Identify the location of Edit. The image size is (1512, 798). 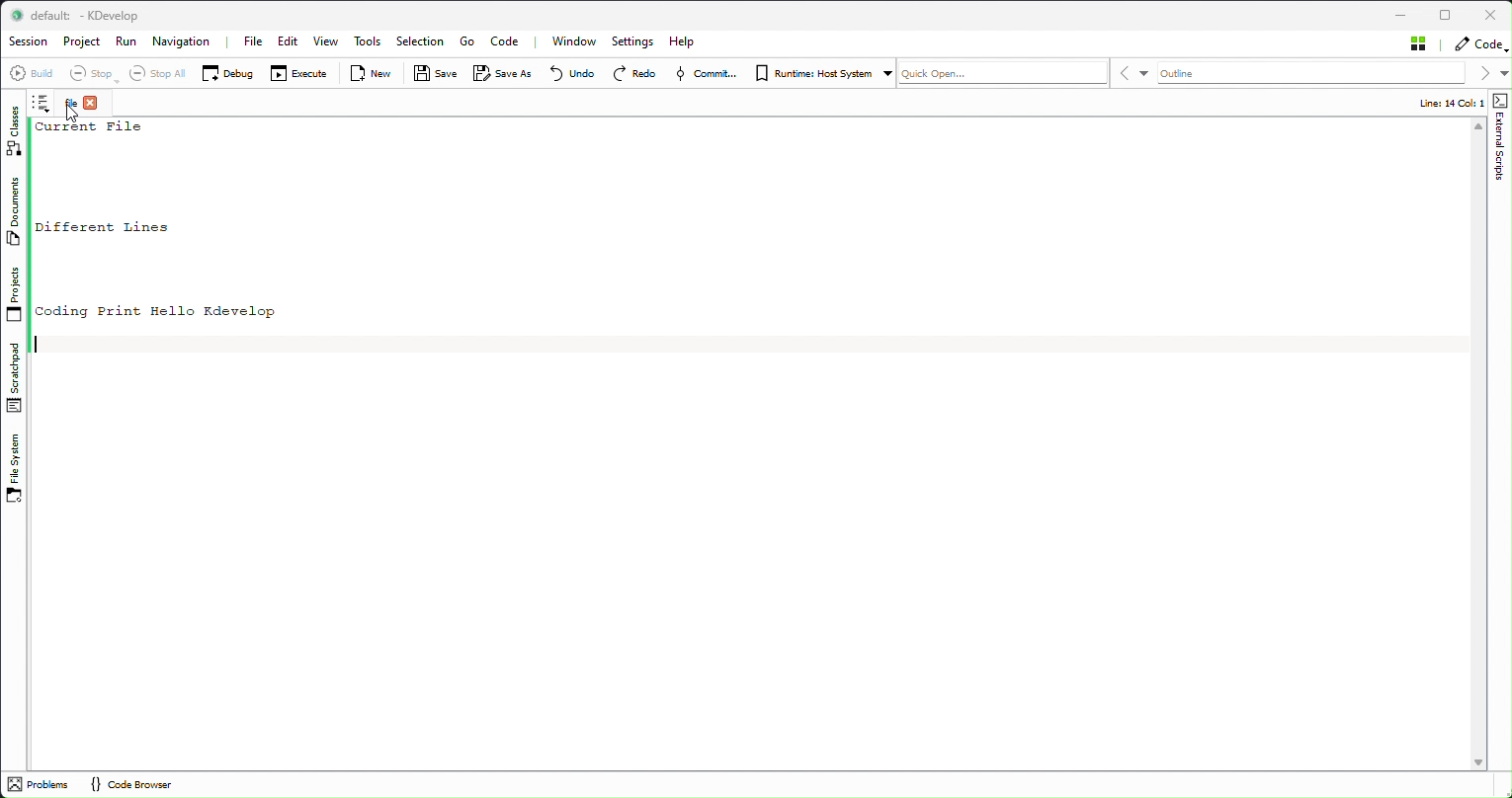
(288, 42).